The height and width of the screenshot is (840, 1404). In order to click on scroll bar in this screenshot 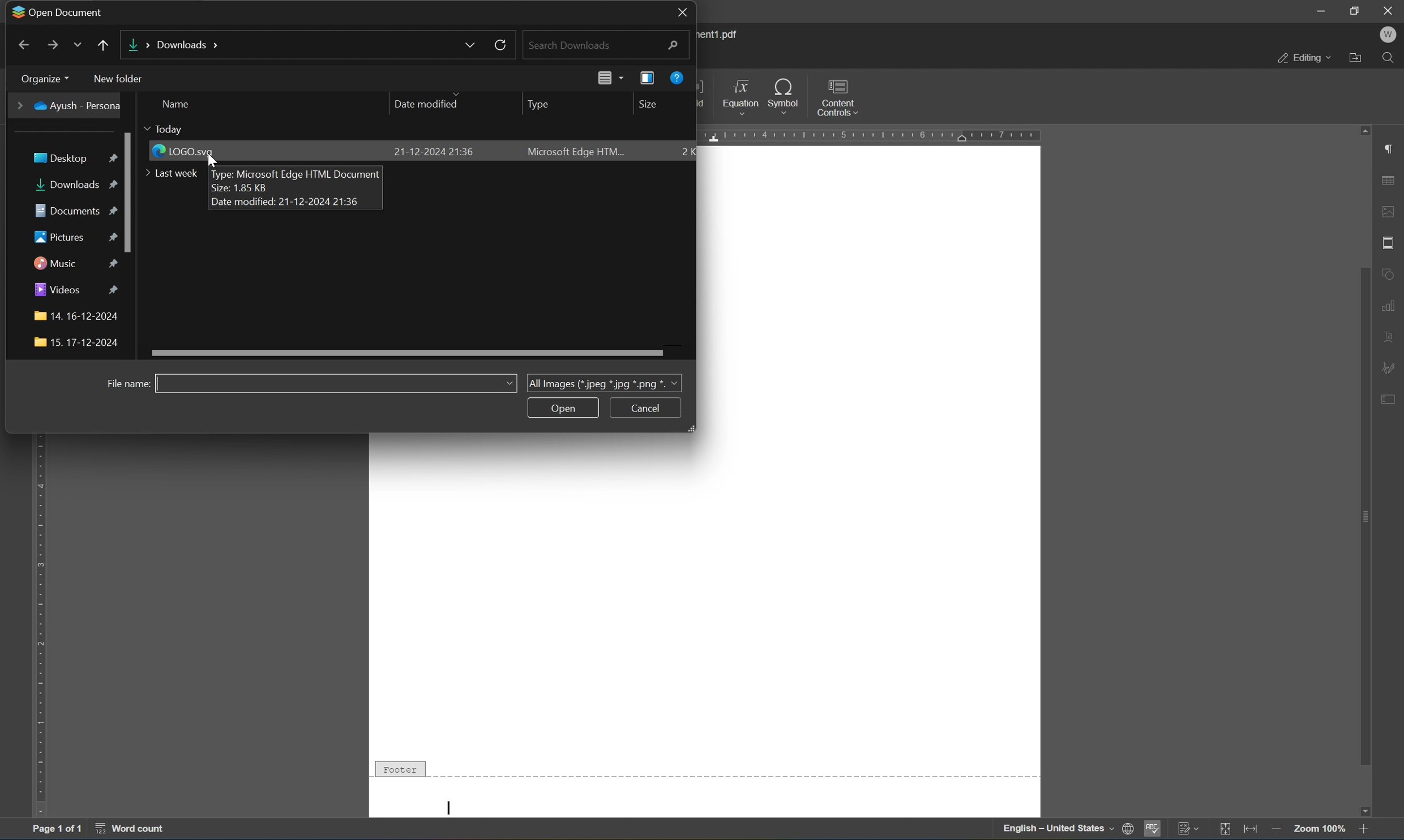, I will do `click(408, 353)`.